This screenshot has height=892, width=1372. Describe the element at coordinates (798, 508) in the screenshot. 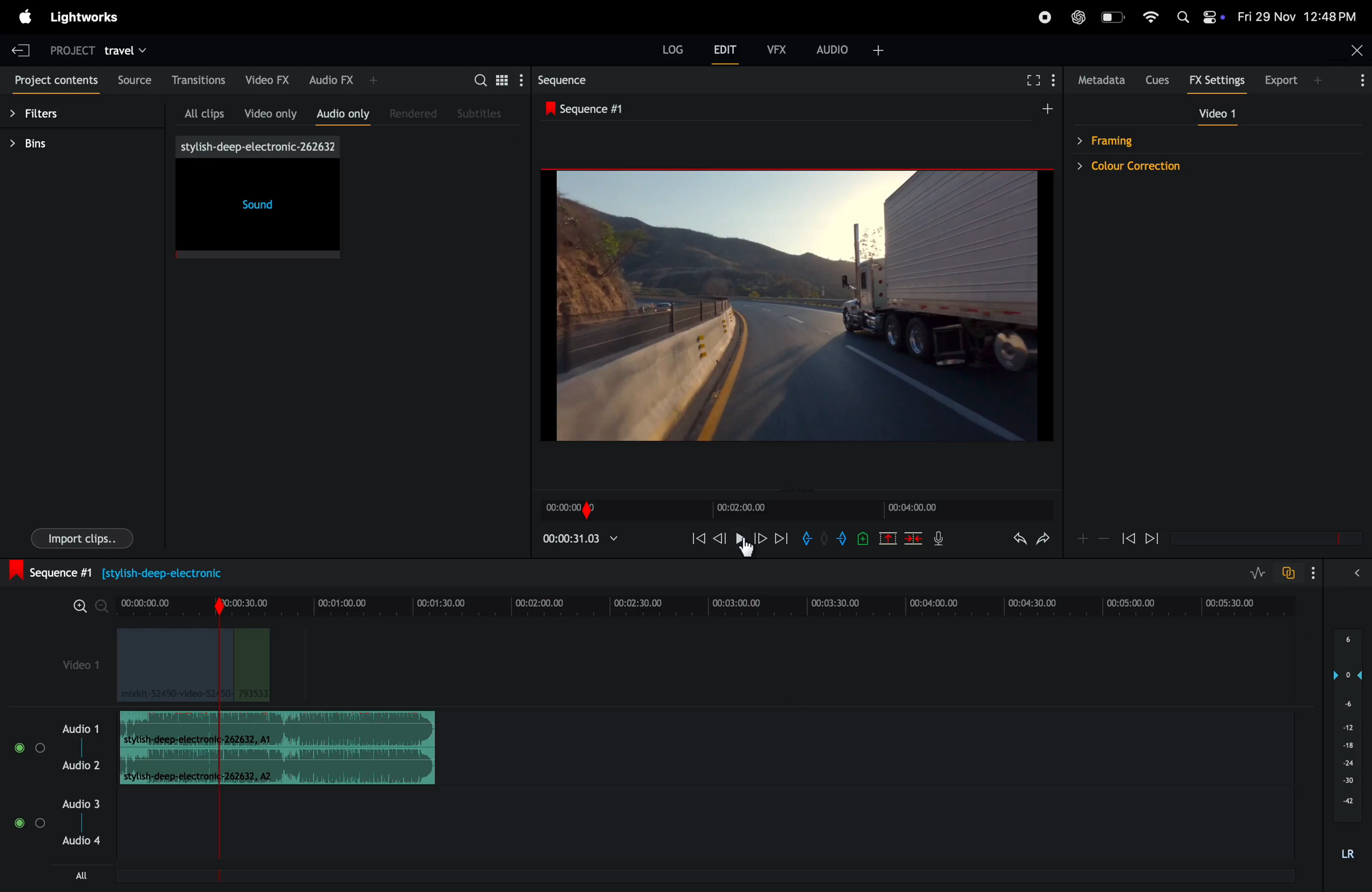

I see `time frame` at that location.